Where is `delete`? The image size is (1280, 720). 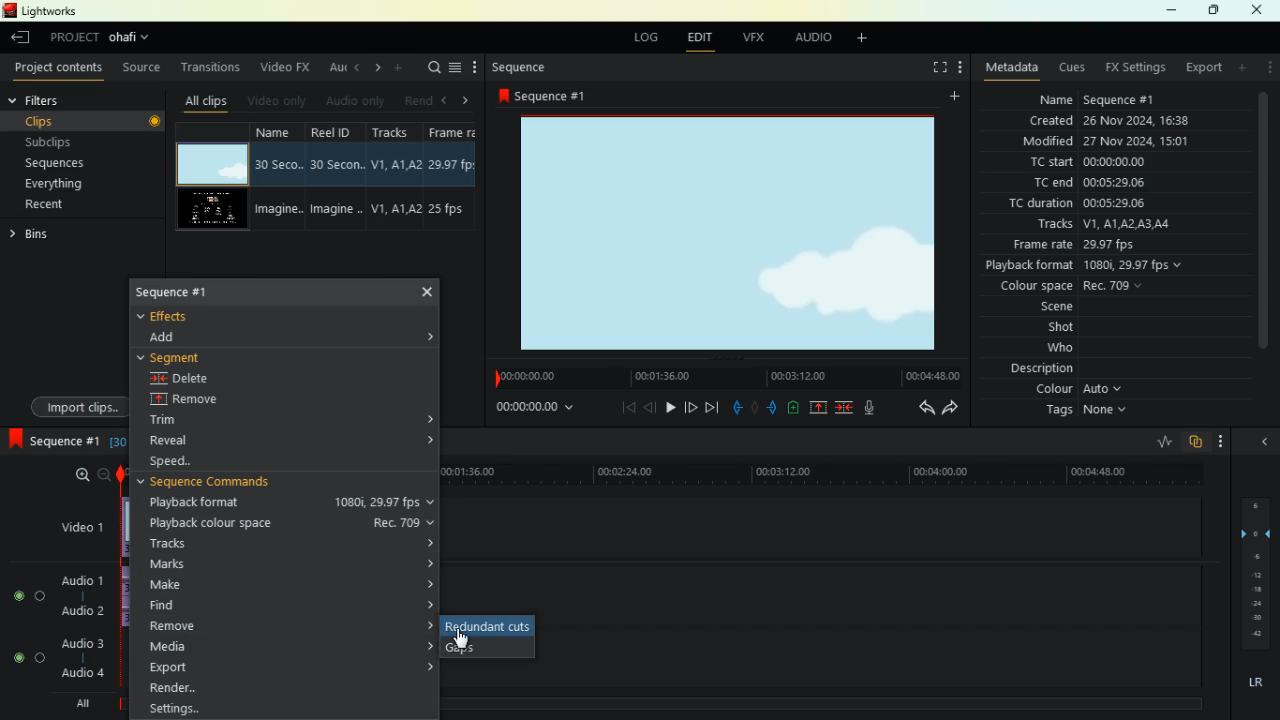
delete is located at coordinates (203, 379).